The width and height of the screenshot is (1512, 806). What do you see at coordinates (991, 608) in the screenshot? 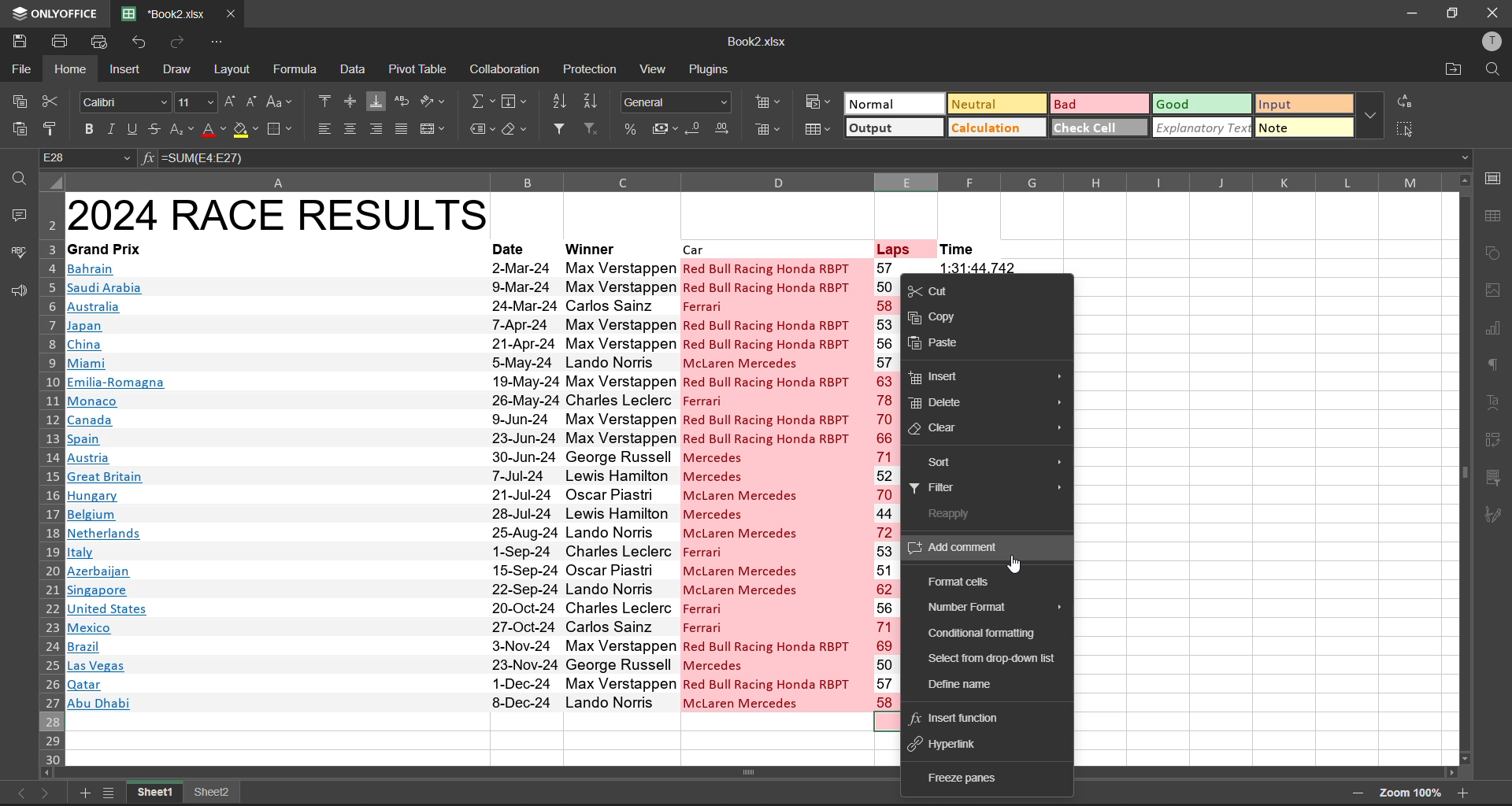
I see `number format` at bounding box center [991, 608].